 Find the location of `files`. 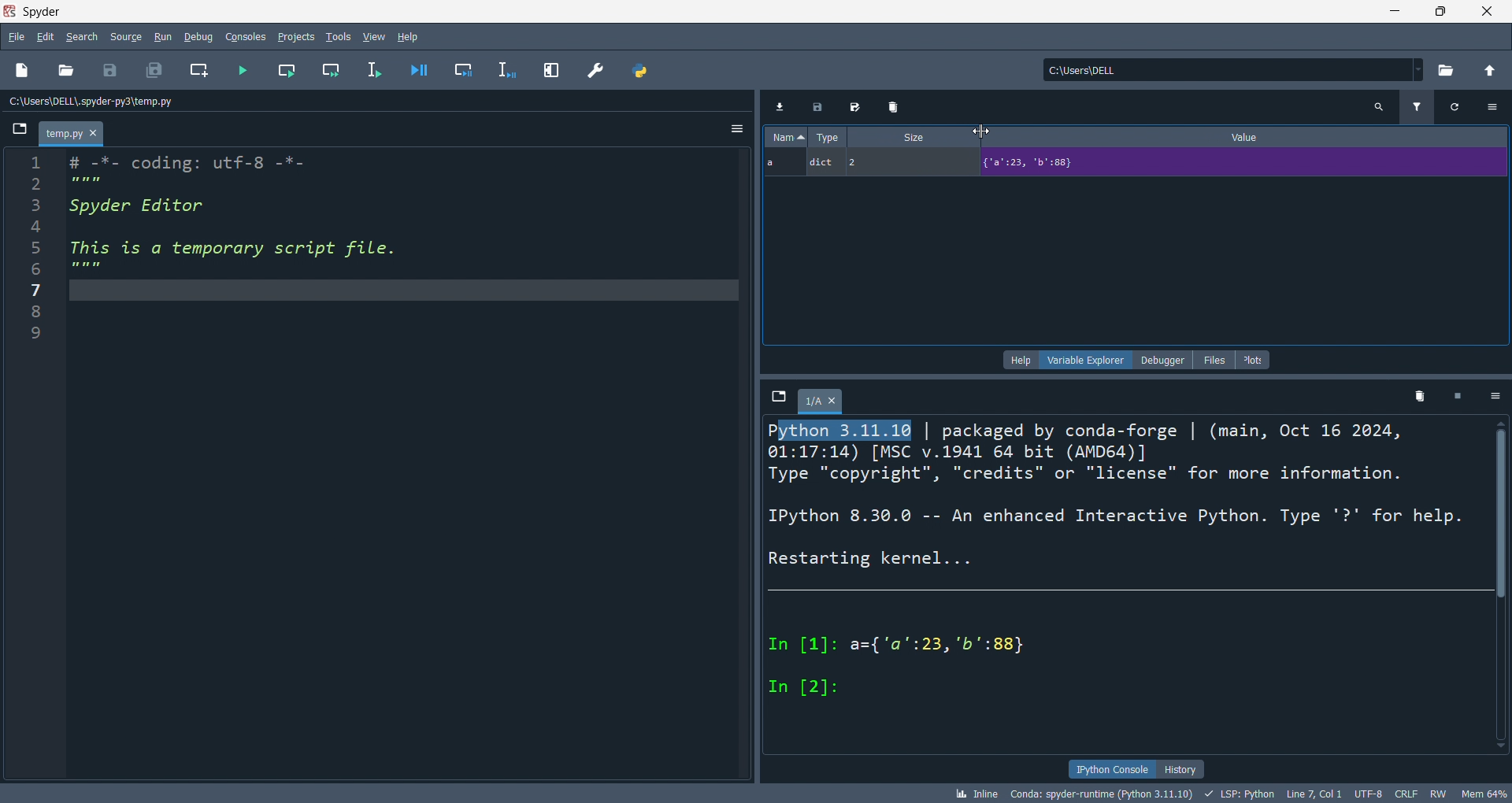

files is located at coordinates (1210, 361).